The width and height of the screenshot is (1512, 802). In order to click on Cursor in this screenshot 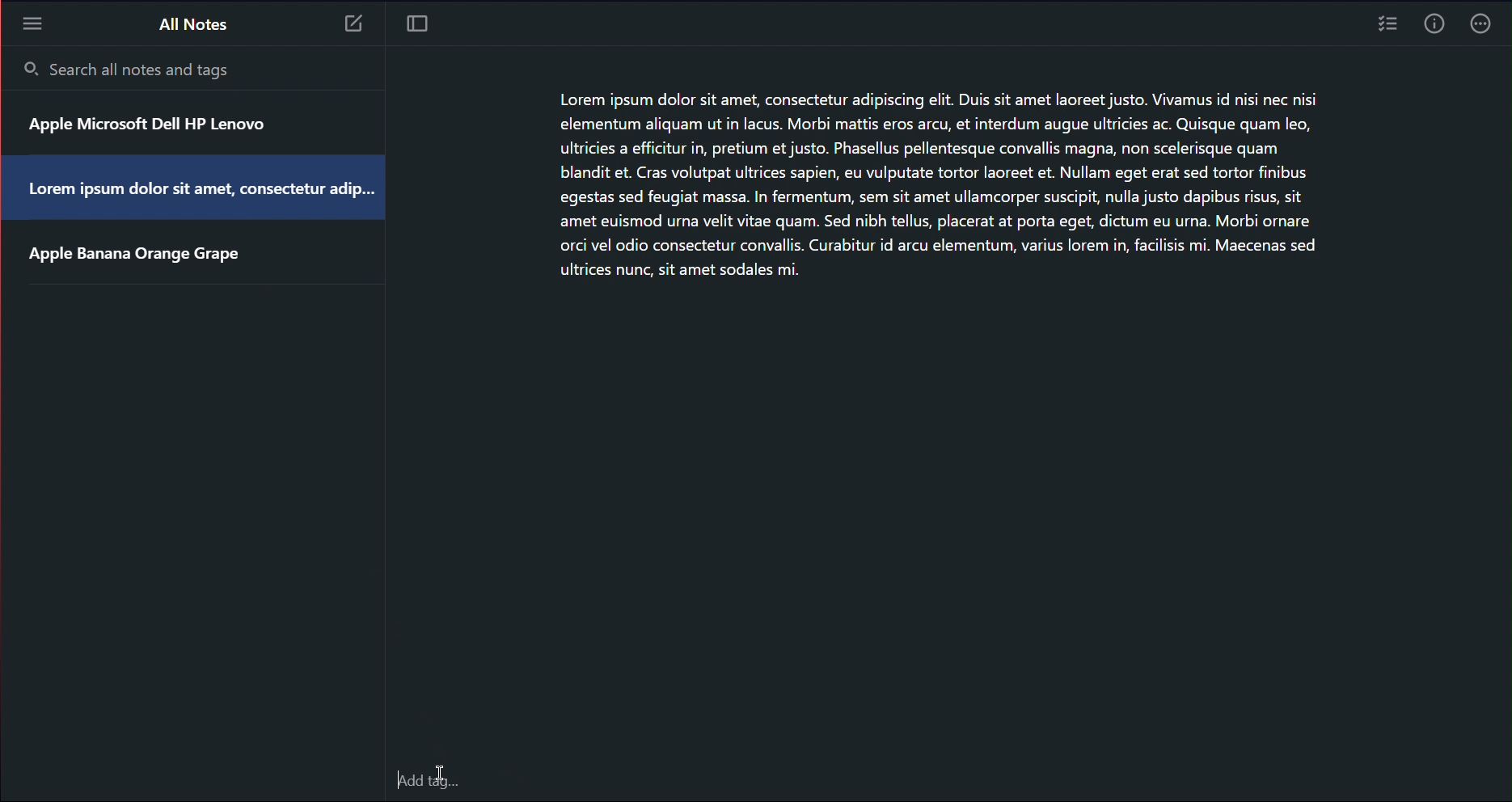, I will do `click(435, 772)`.